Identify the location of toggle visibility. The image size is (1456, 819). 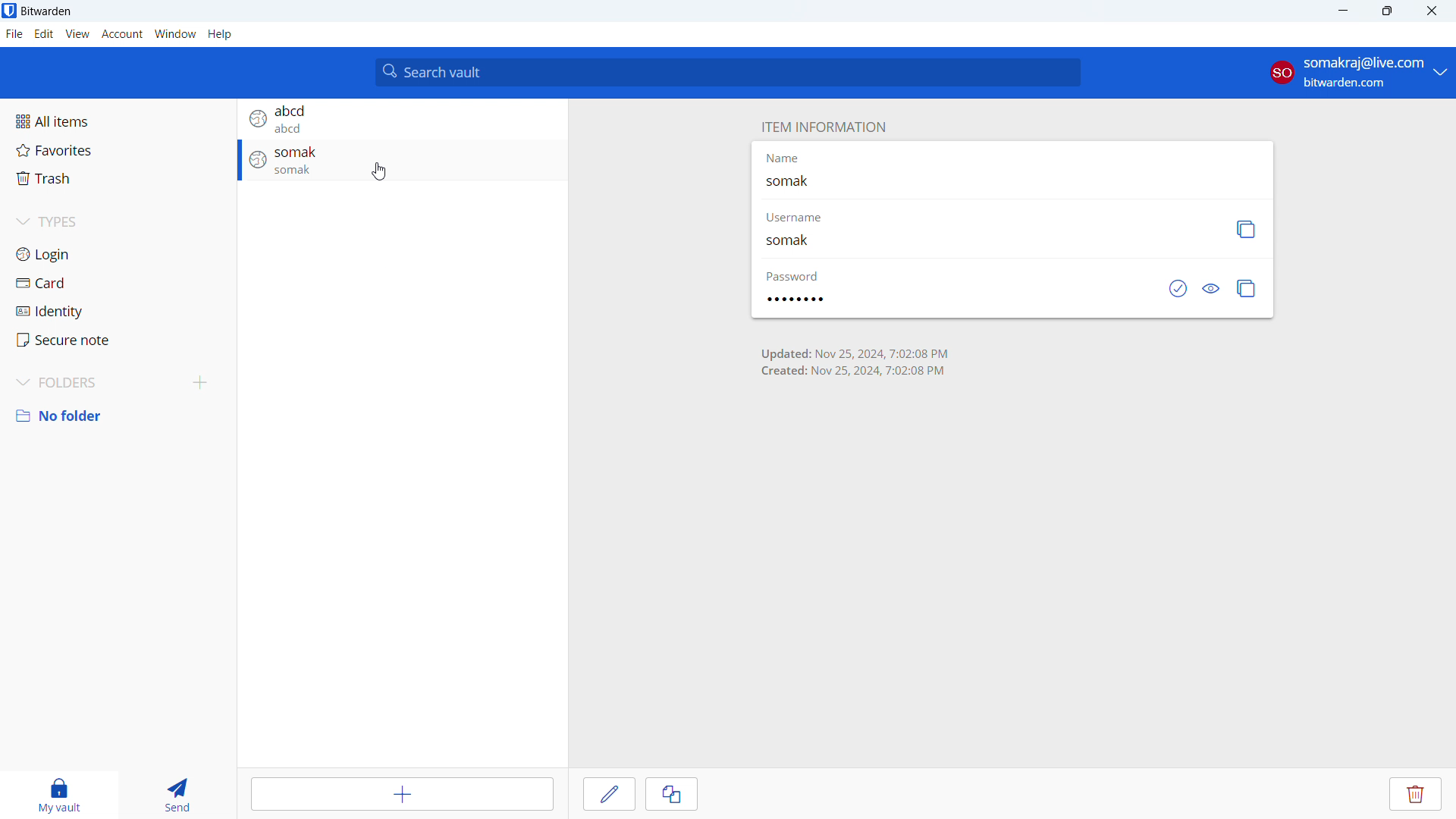
(1212, 289).